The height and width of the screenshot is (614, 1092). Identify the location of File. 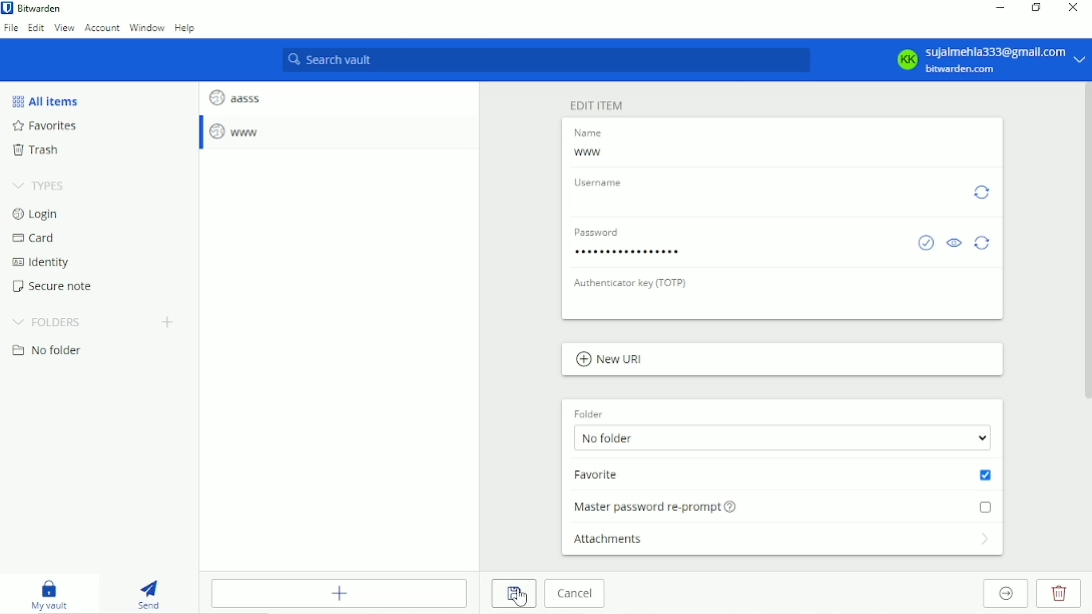
(11, 28).